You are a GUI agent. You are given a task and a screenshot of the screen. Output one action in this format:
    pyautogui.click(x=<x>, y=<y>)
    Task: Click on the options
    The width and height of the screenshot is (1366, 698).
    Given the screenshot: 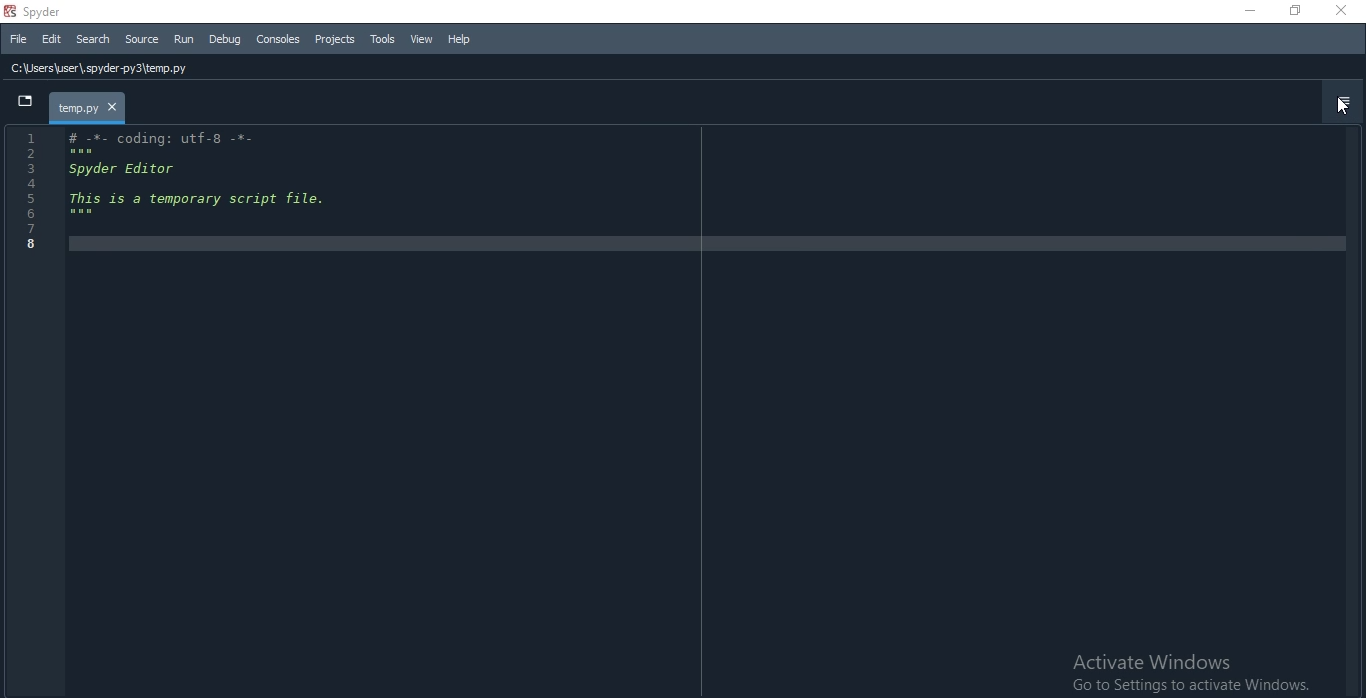 What is the action you would take?
    pyautogui.click(x=1340, y=105)
    